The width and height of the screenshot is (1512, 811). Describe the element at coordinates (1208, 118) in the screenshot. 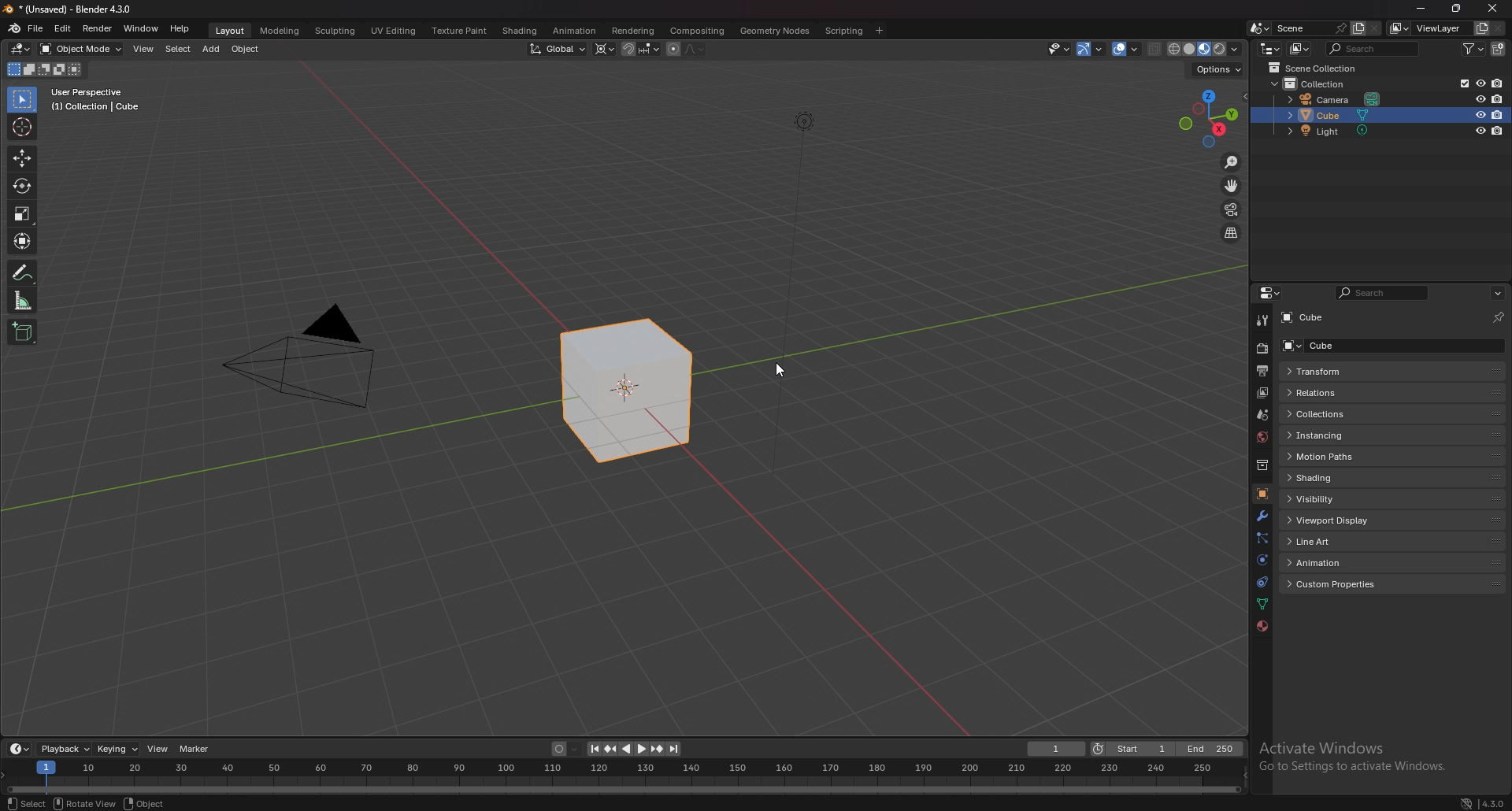

I see `preset viewpoint` at that location.